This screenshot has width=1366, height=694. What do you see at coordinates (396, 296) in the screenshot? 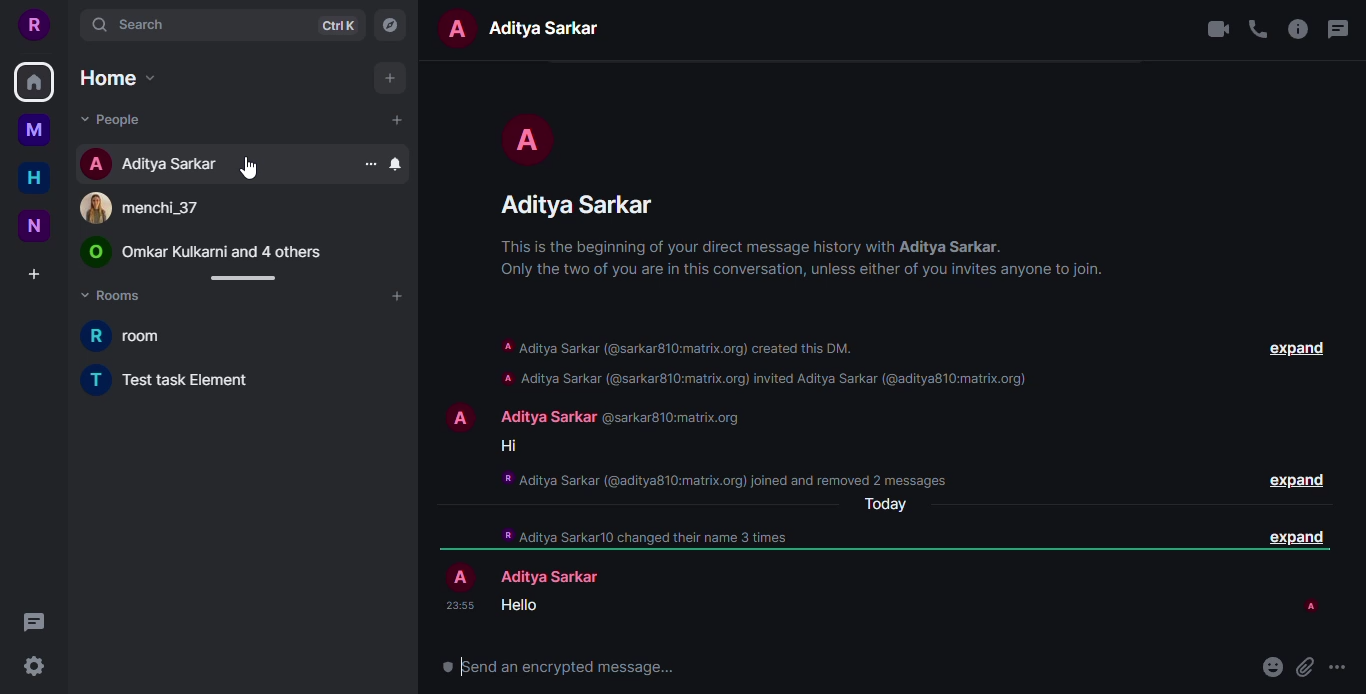
I see `add room` at bounding box center [396, 296].